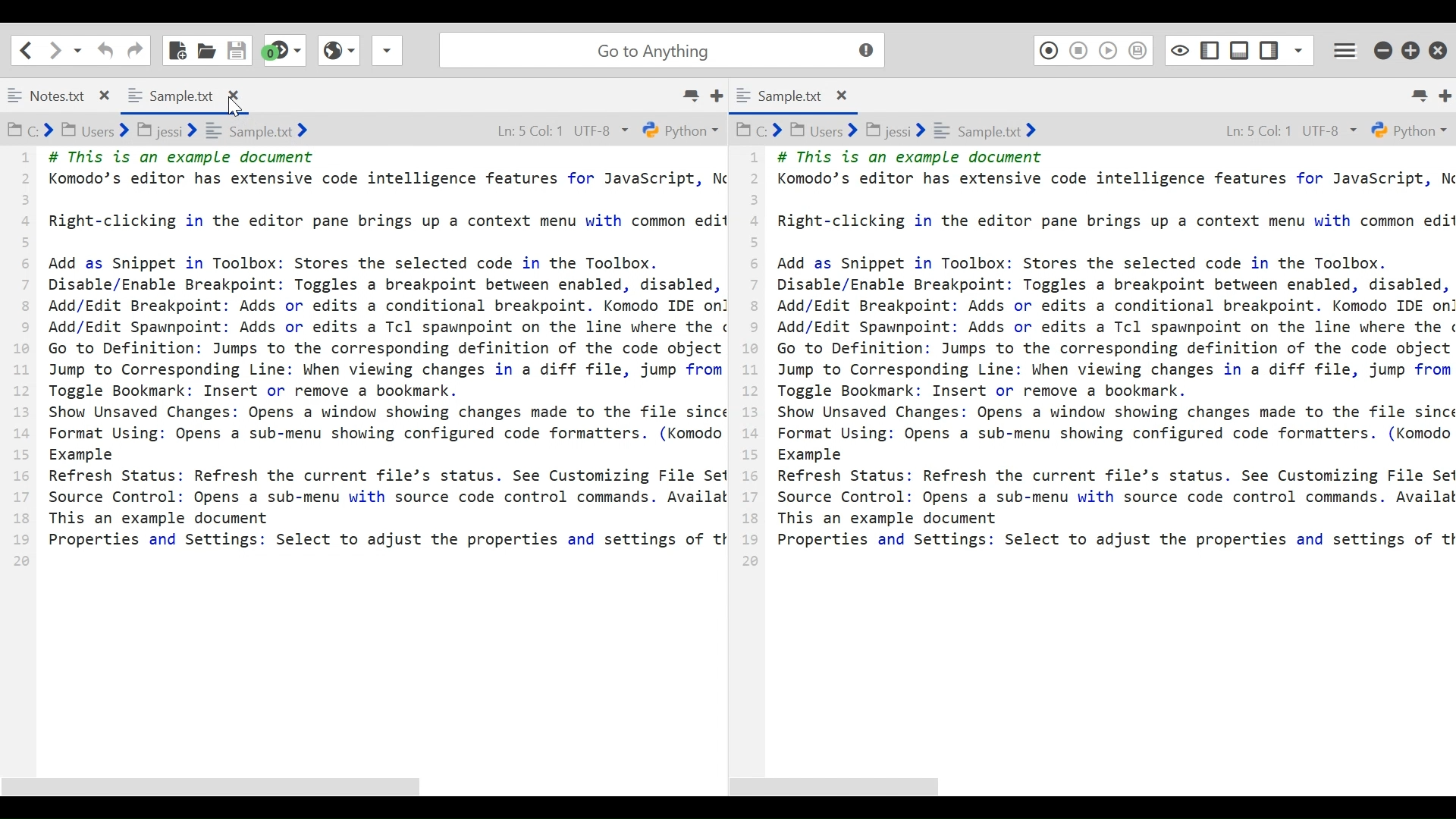 This screenshot has width=1456, height=819. Describe the element at coordinates (798, 96) in the screenshot. I see `Sample.txt  ` at that location.